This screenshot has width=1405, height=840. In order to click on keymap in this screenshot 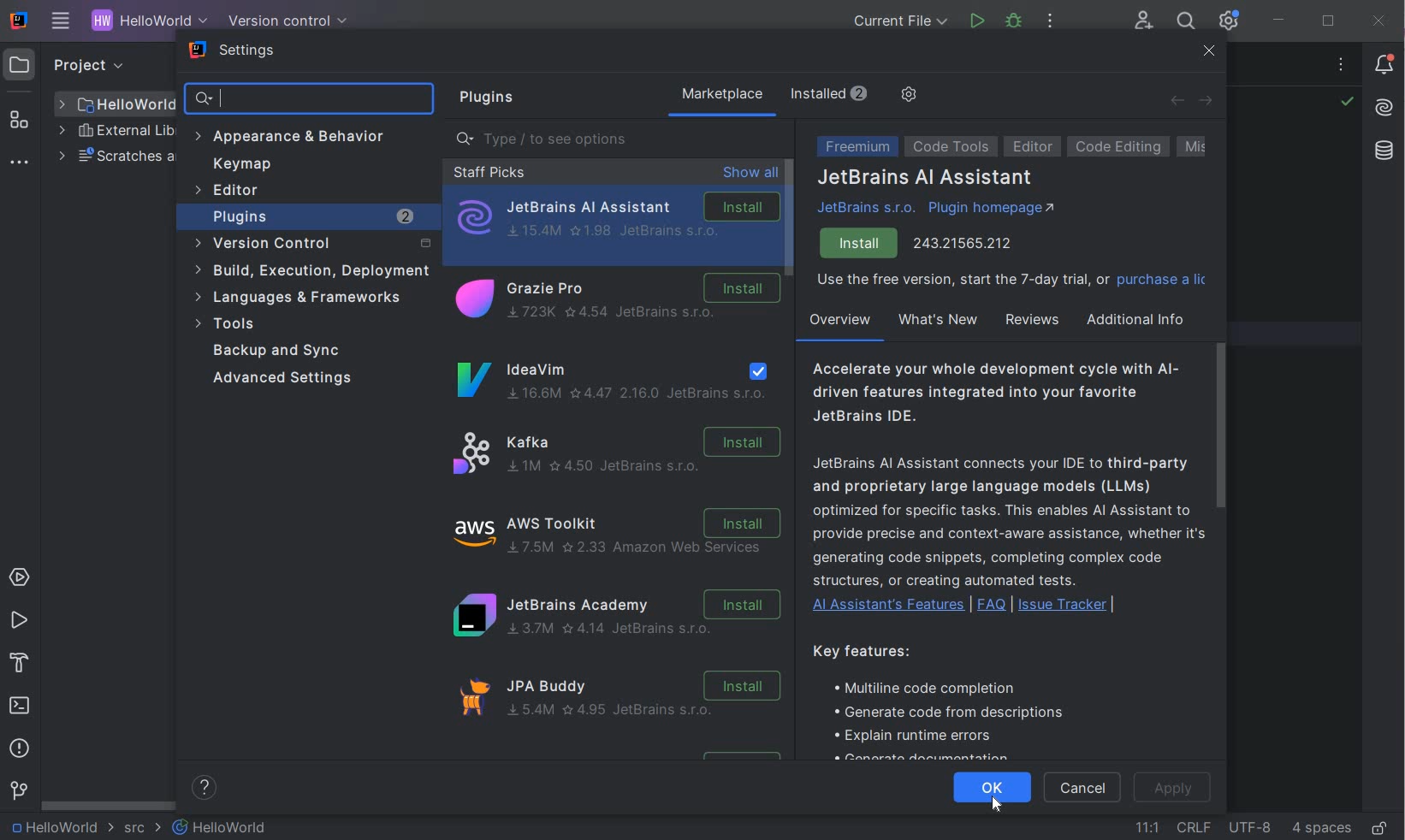, I will do `click(242, 164)`.